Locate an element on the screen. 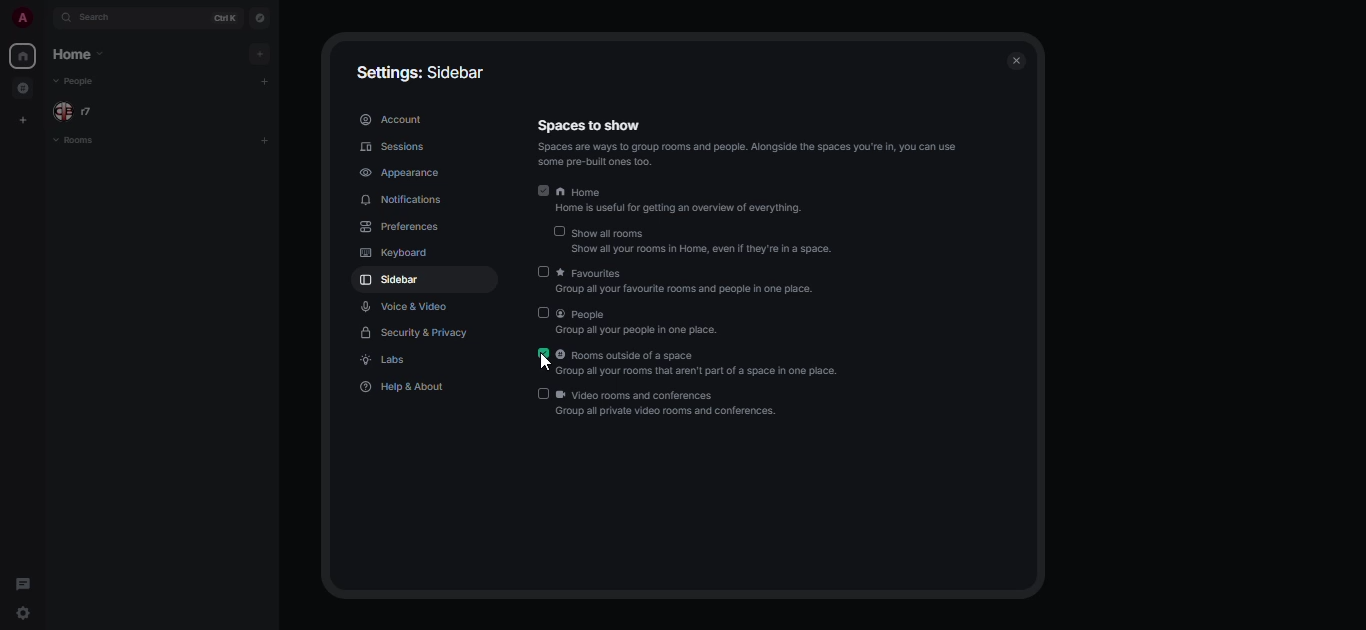  enabled is located at coordinates (544, 354).